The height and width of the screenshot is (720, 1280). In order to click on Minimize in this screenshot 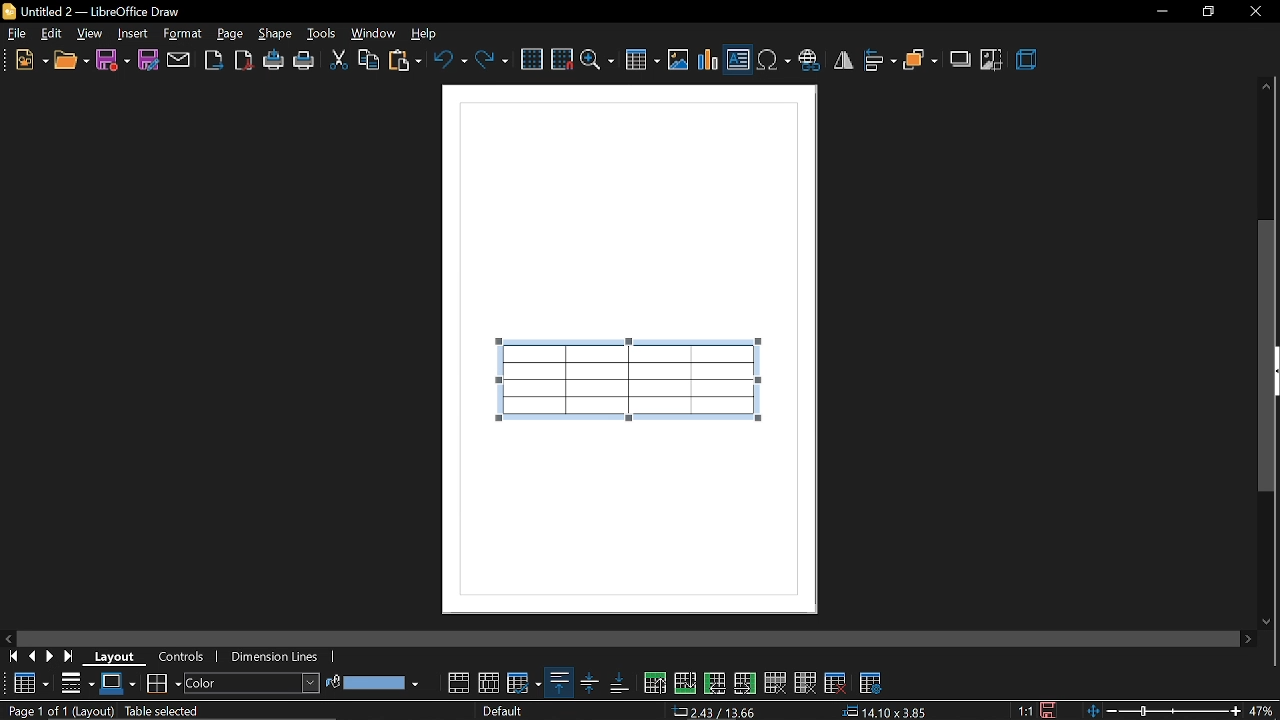, I will do `click(1157, 12)`.